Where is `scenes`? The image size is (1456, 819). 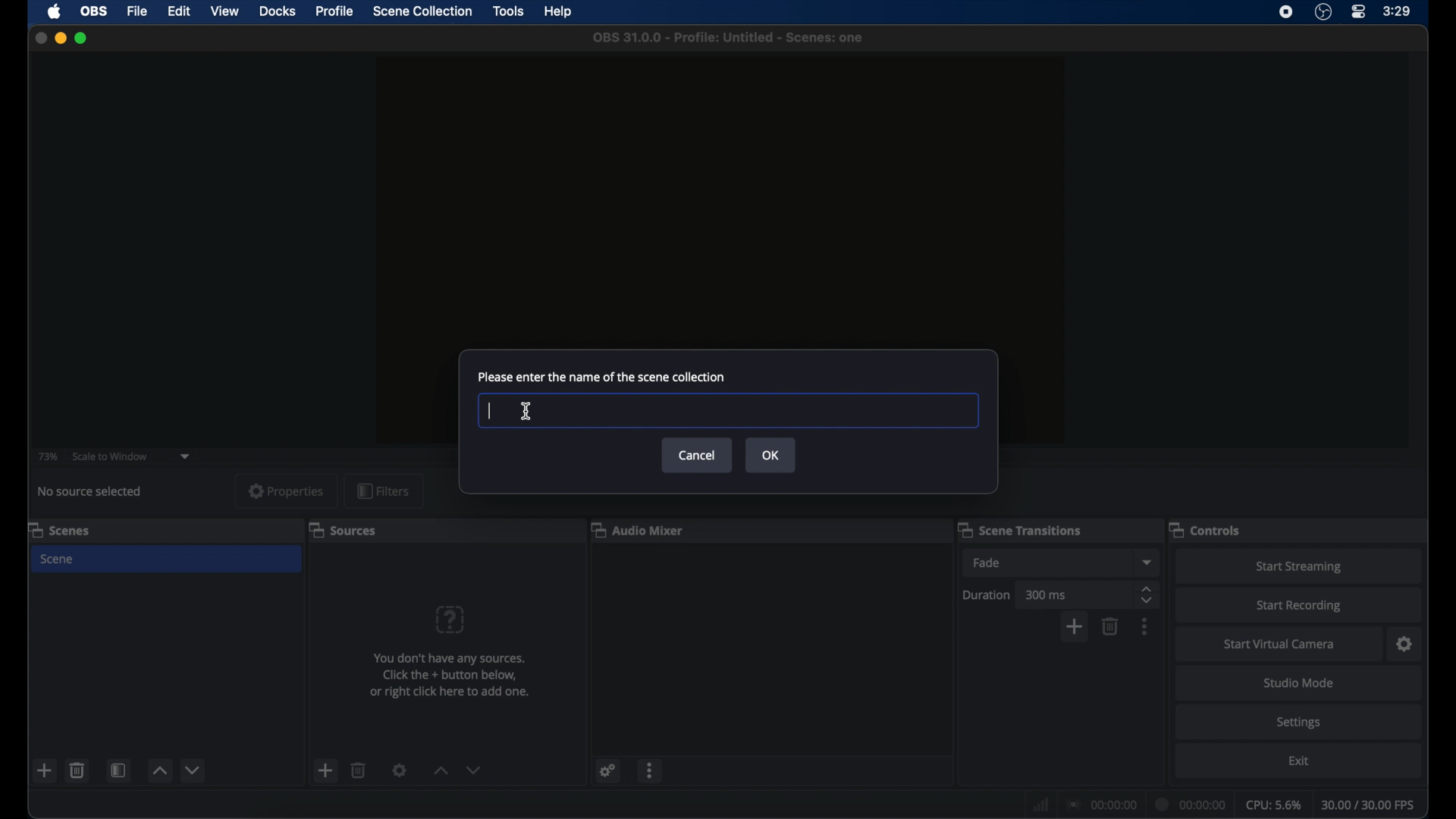
scenes is located at coordinates (60, 529).